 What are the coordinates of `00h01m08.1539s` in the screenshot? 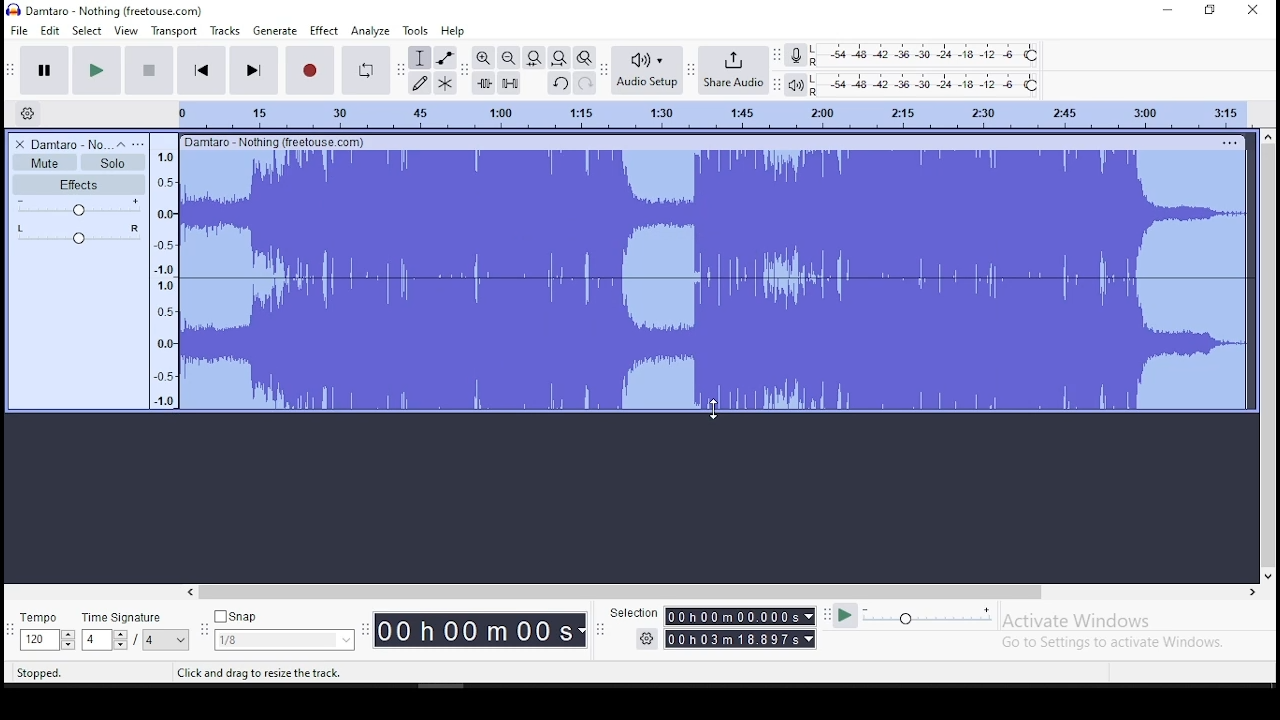 It's located at (732, 616).